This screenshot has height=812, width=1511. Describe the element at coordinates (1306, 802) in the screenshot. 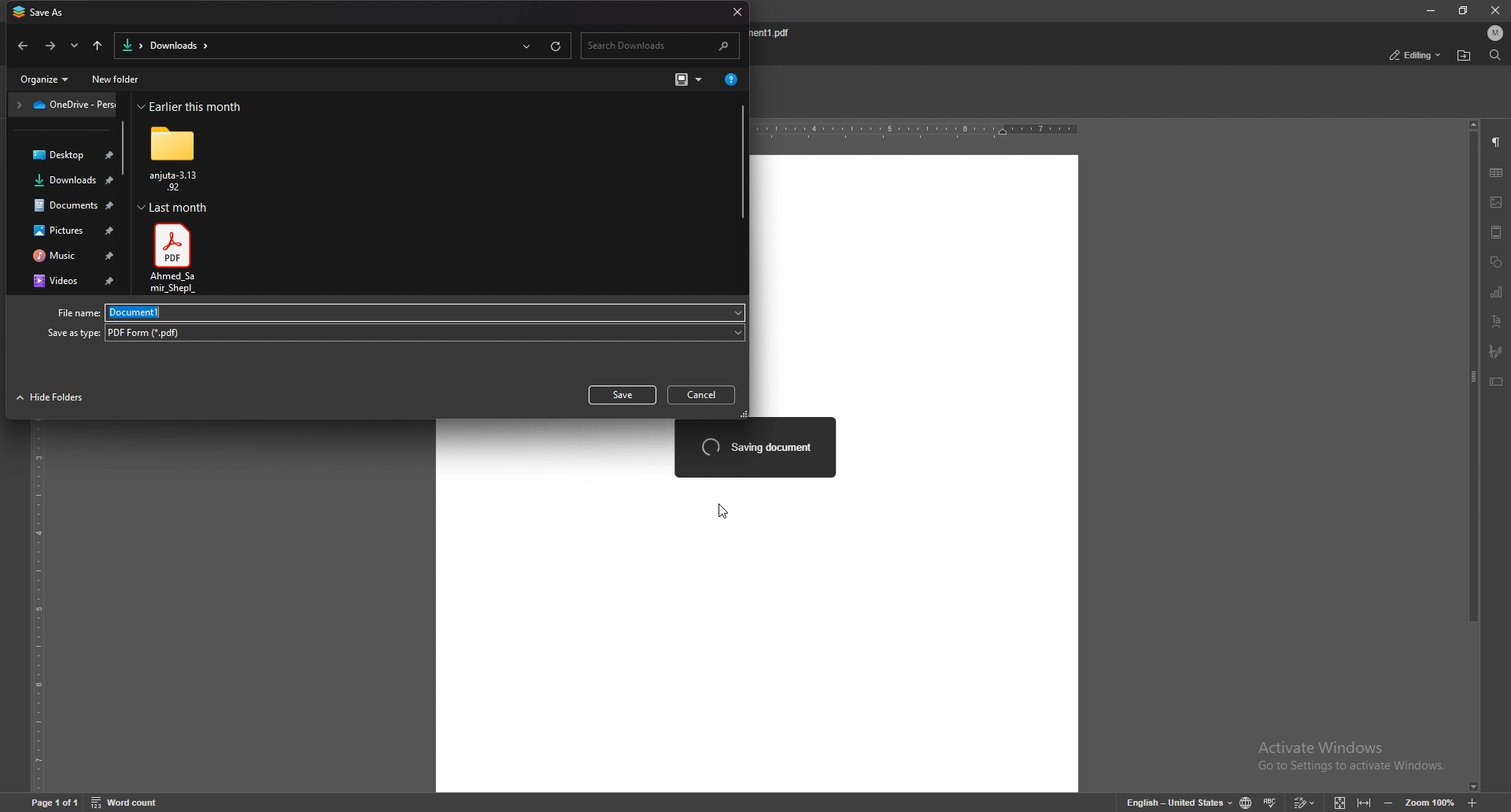

I see `track change` at that location.